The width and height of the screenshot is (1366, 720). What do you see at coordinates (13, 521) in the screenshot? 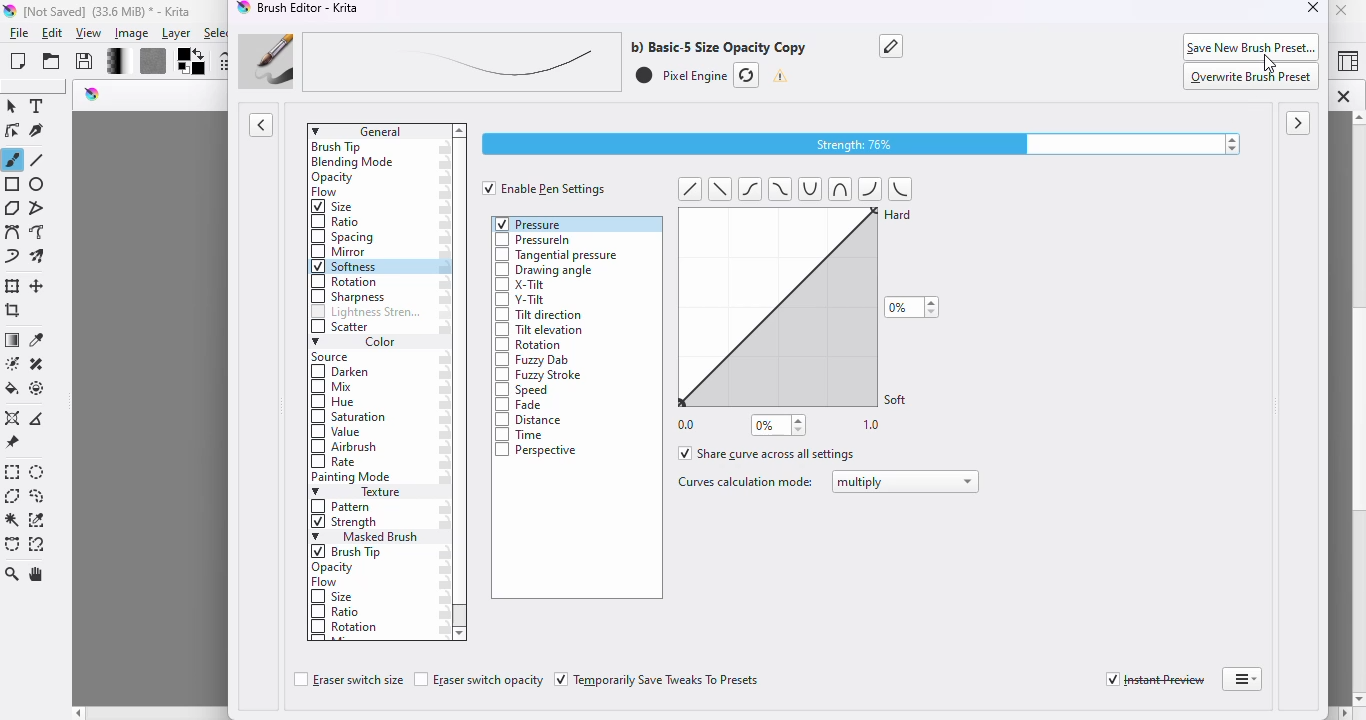
I see `contiguous selection tool` at bounding box center [13, 521].